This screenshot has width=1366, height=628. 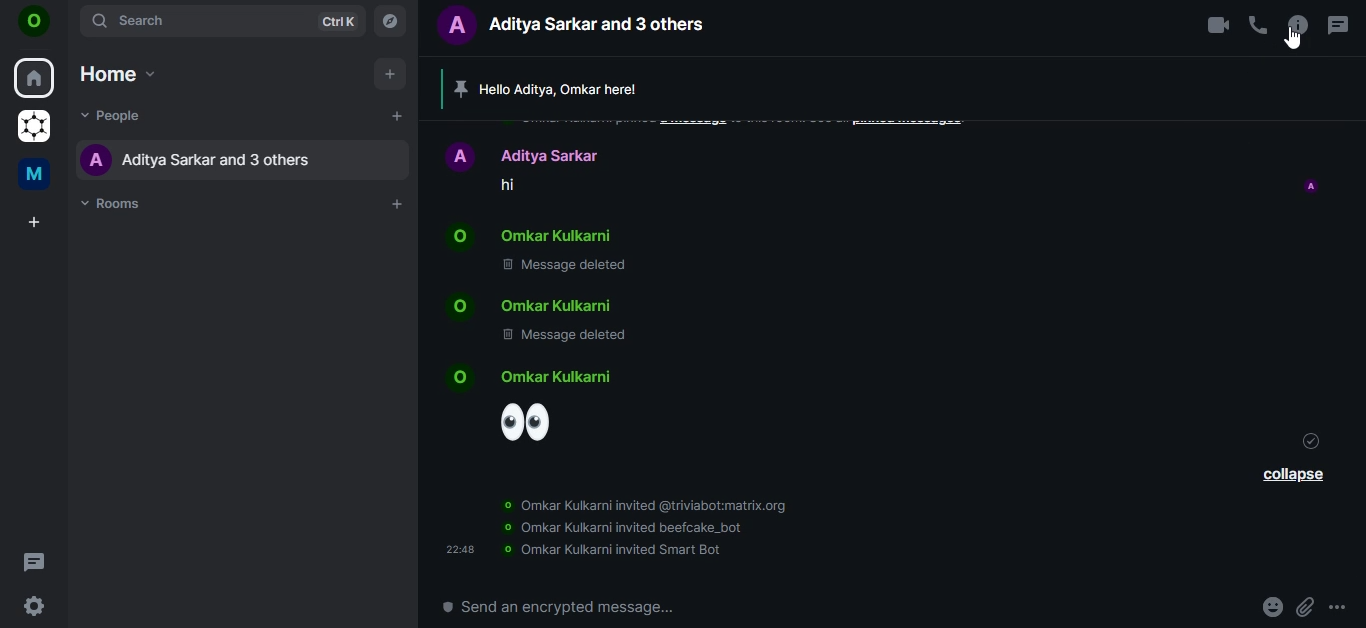 I want to click on send a encrypted message, so click(x=557, y=606).